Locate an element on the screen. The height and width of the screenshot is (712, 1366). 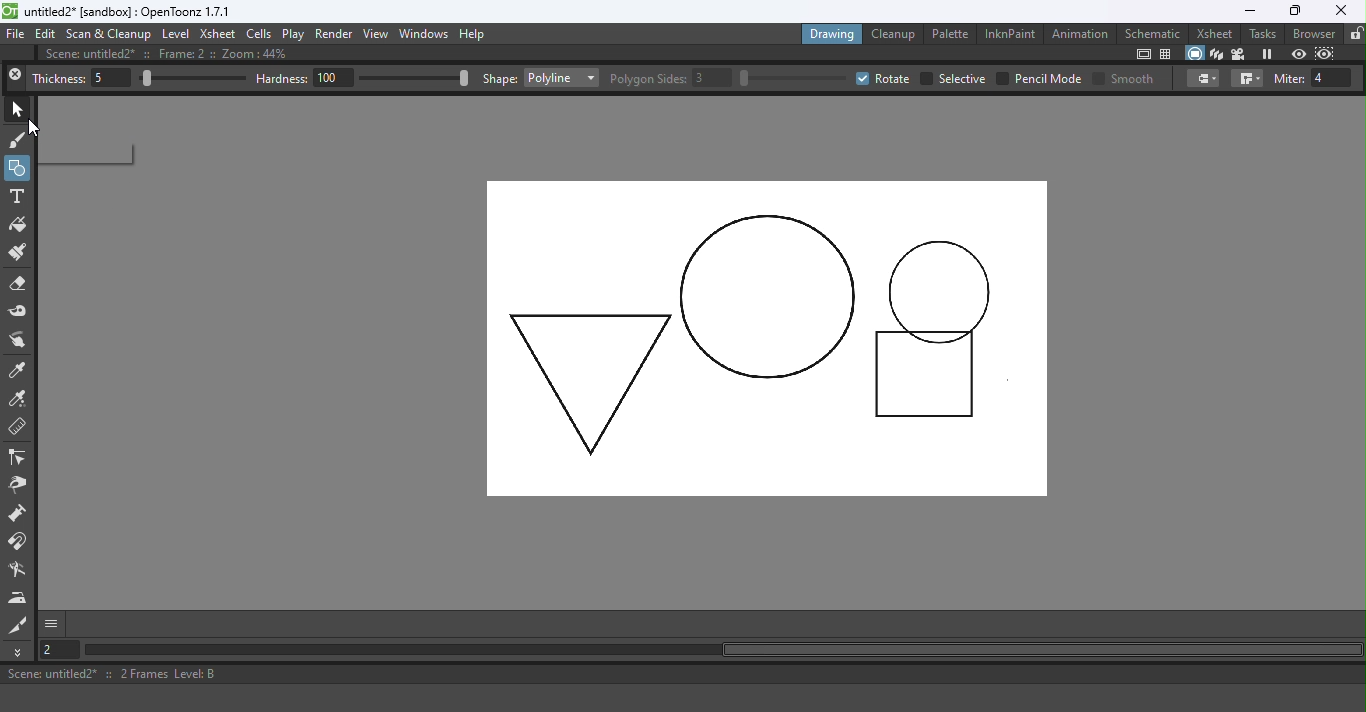
Help is located at coordinates (481, 33).